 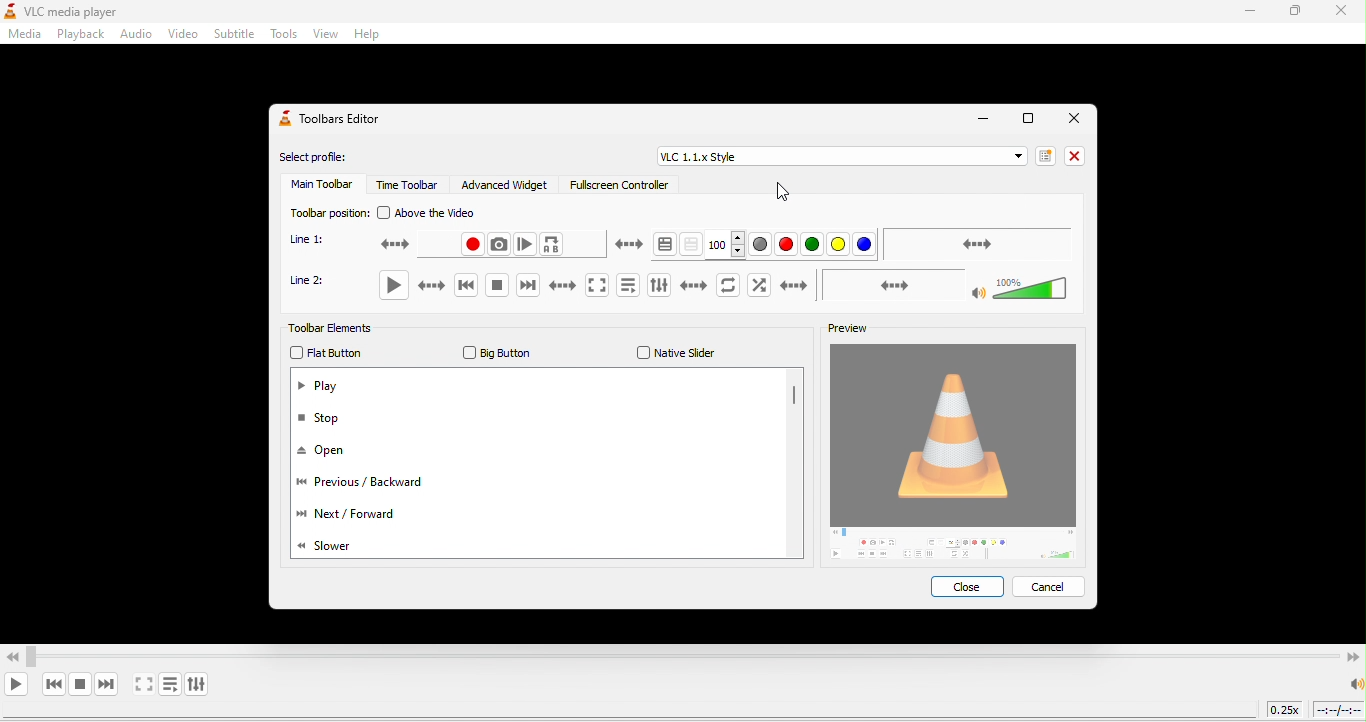 What do you see at coordinates (1042, 155) in the screenshot?
I see `new profile` at bounding box center [1042, 155].